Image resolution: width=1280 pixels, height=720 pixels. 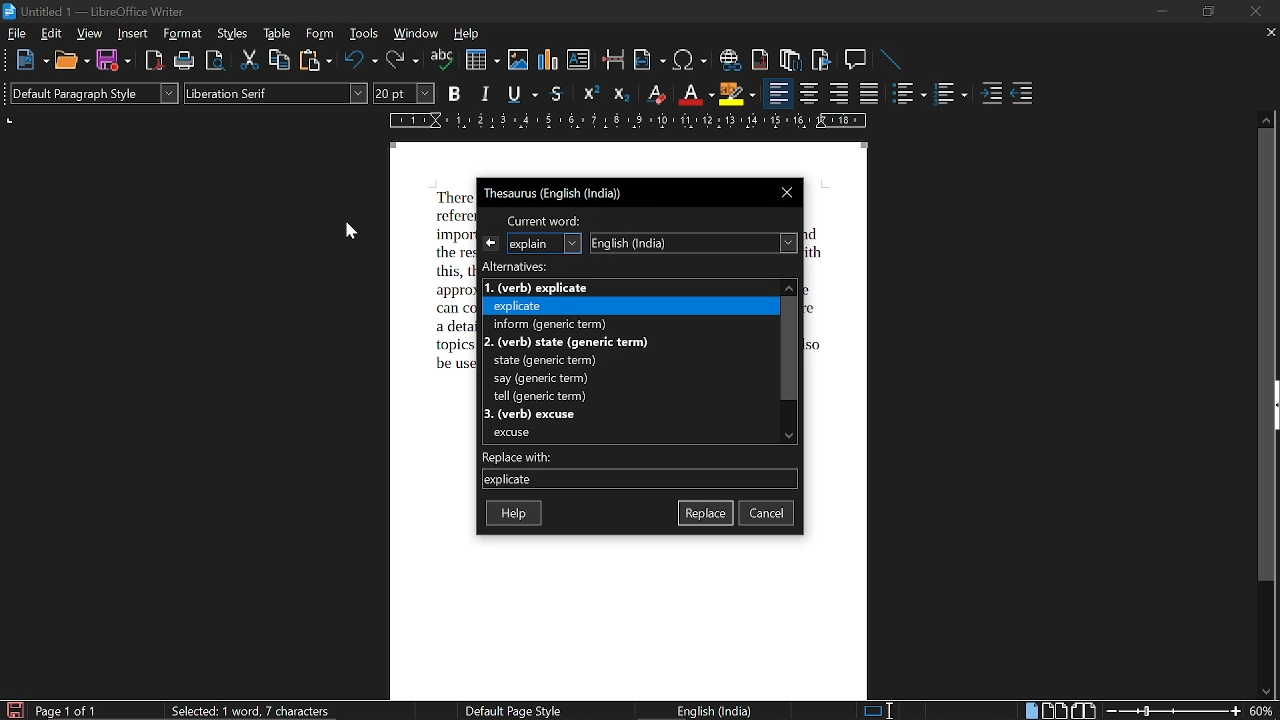 What do you see at coordinates (1270, 357) in the screenshot?
I see `vertical scrollbar` at bounding box center [1270, 357].